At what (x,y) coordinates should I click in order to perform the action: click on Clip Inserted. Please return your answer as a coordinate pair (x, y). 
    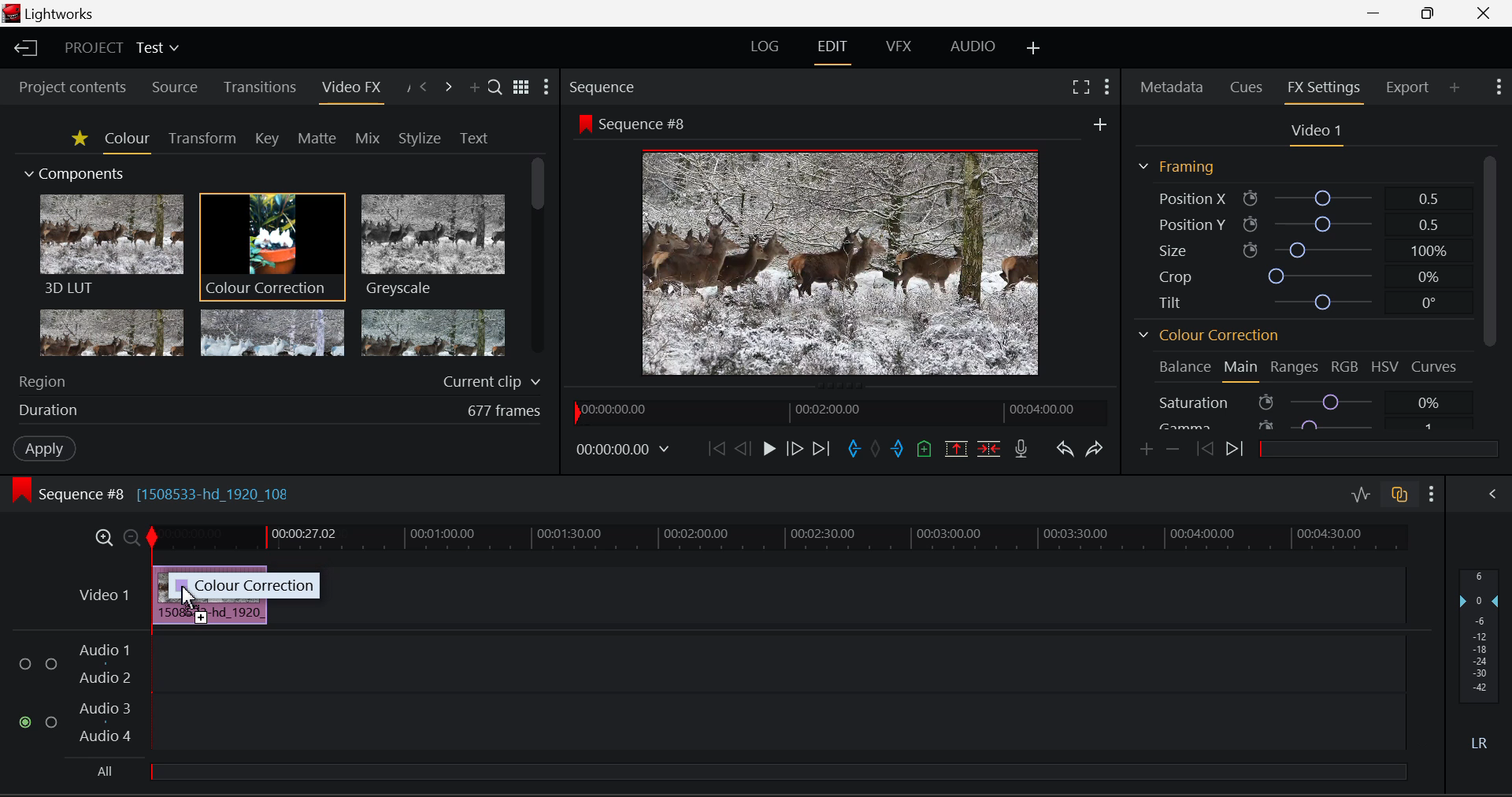
    Looking at the image, I should click on (209, 615).